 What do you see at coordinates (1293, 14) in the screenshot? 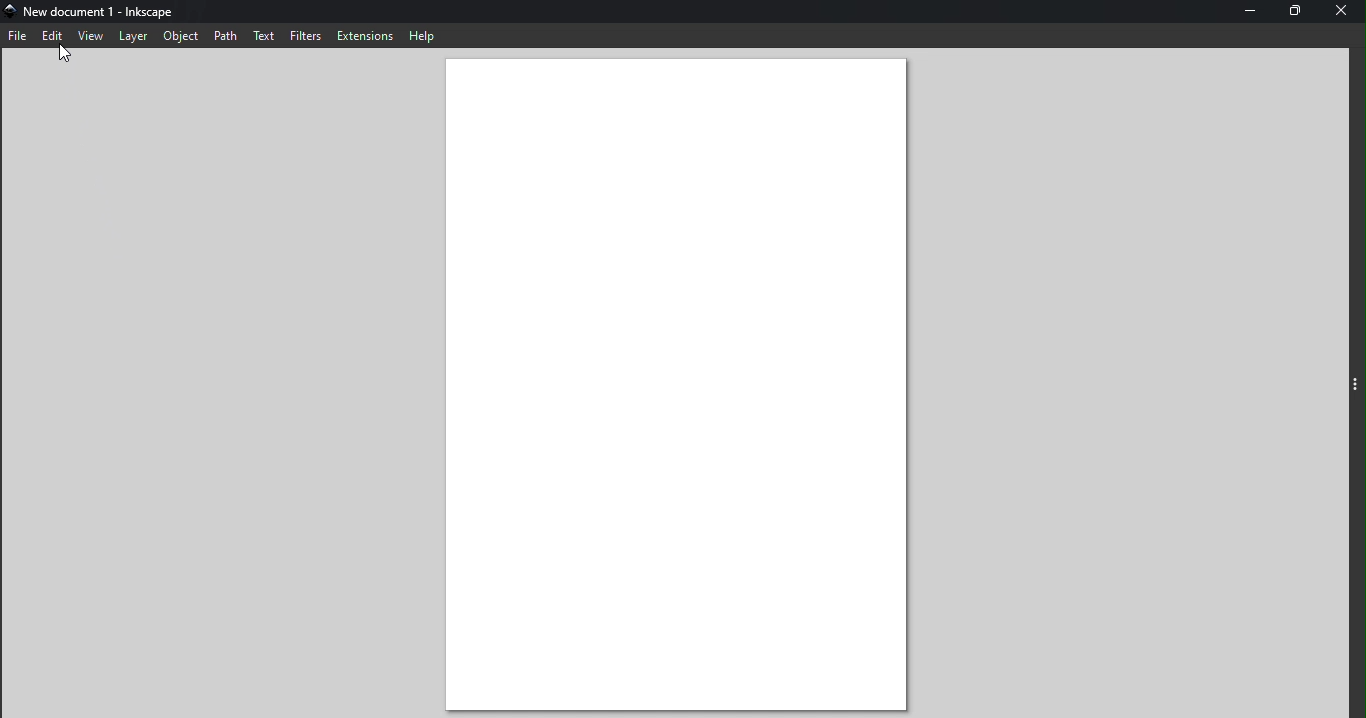
I see `Maximize` at bounding box center [1293, 14].